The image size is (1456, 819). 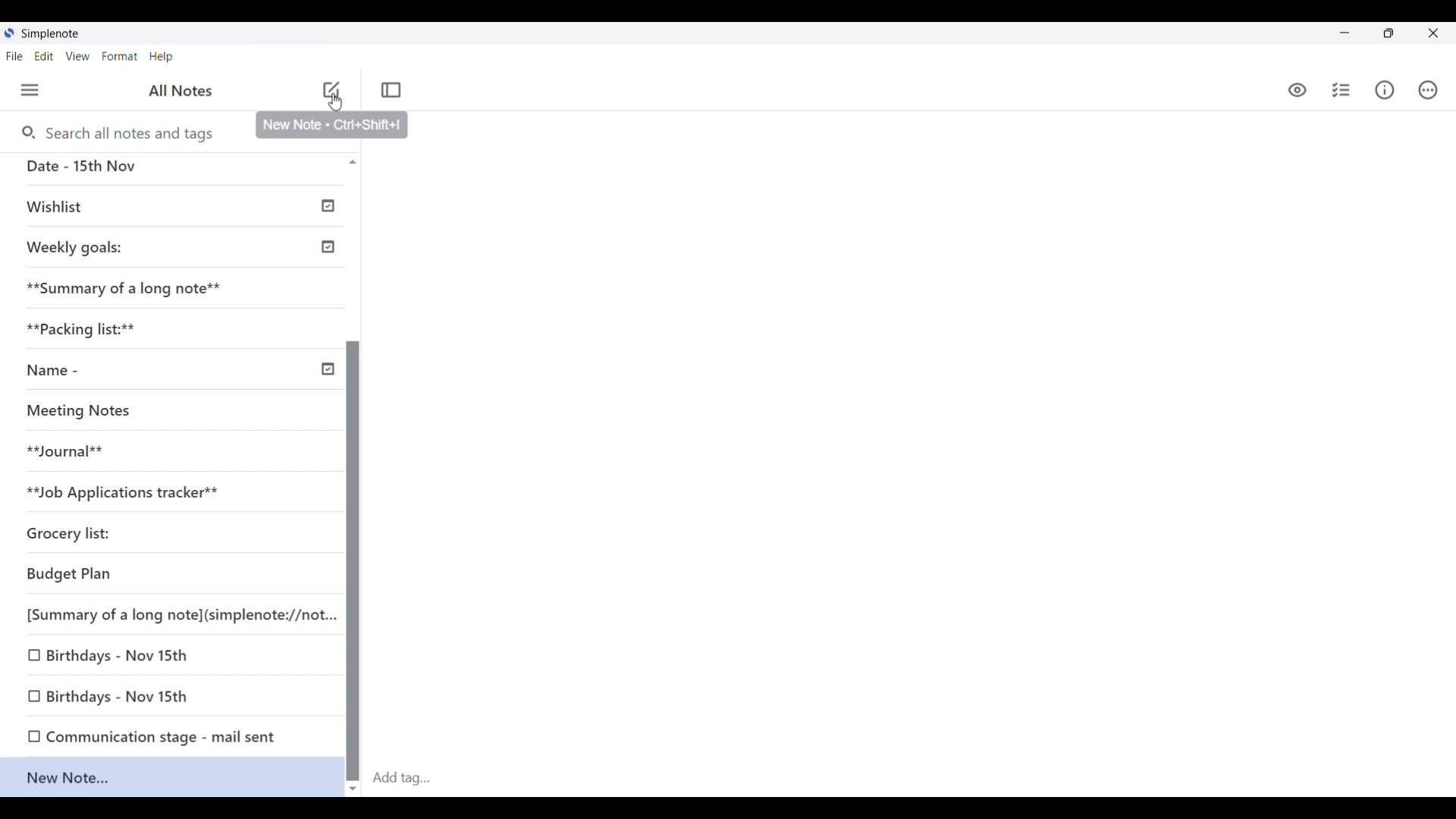 What do you see at coordinates (161, 58) in the screenshot?
I see `Help menu` at bounding box center [161, 58].